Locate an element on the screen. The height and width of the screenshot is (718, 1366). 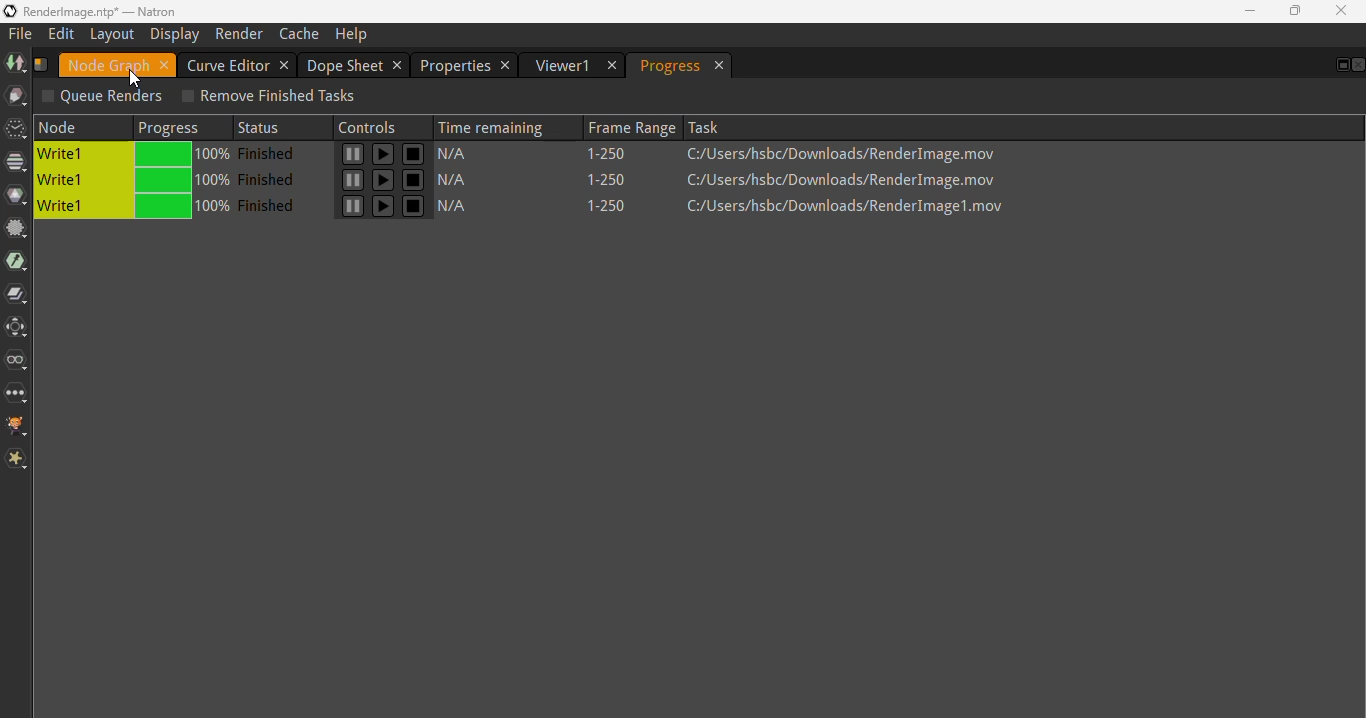
task location is located at coordinates (846, 179).